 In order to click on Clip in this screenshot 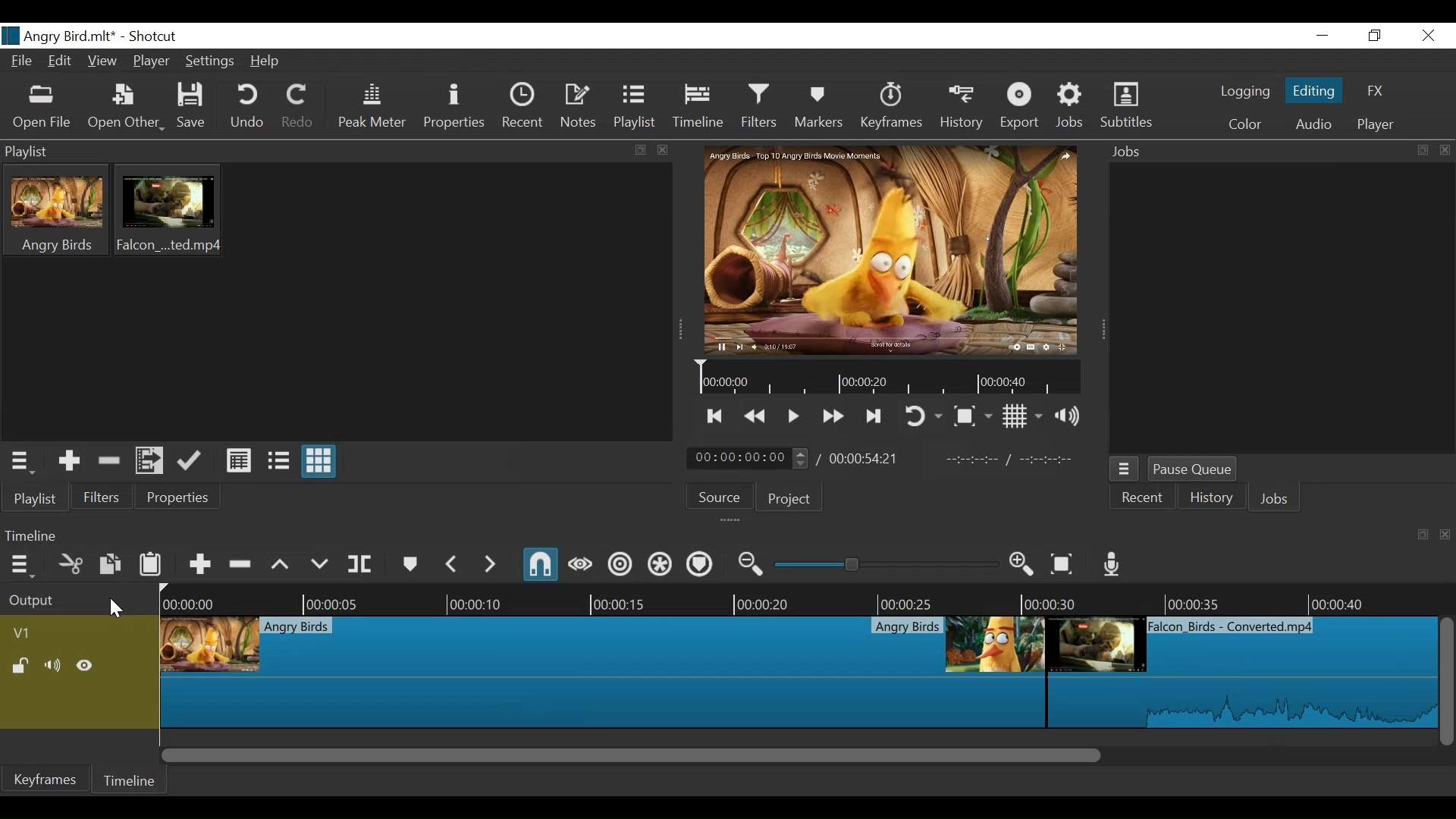, I will do `click(1241, 672)`.